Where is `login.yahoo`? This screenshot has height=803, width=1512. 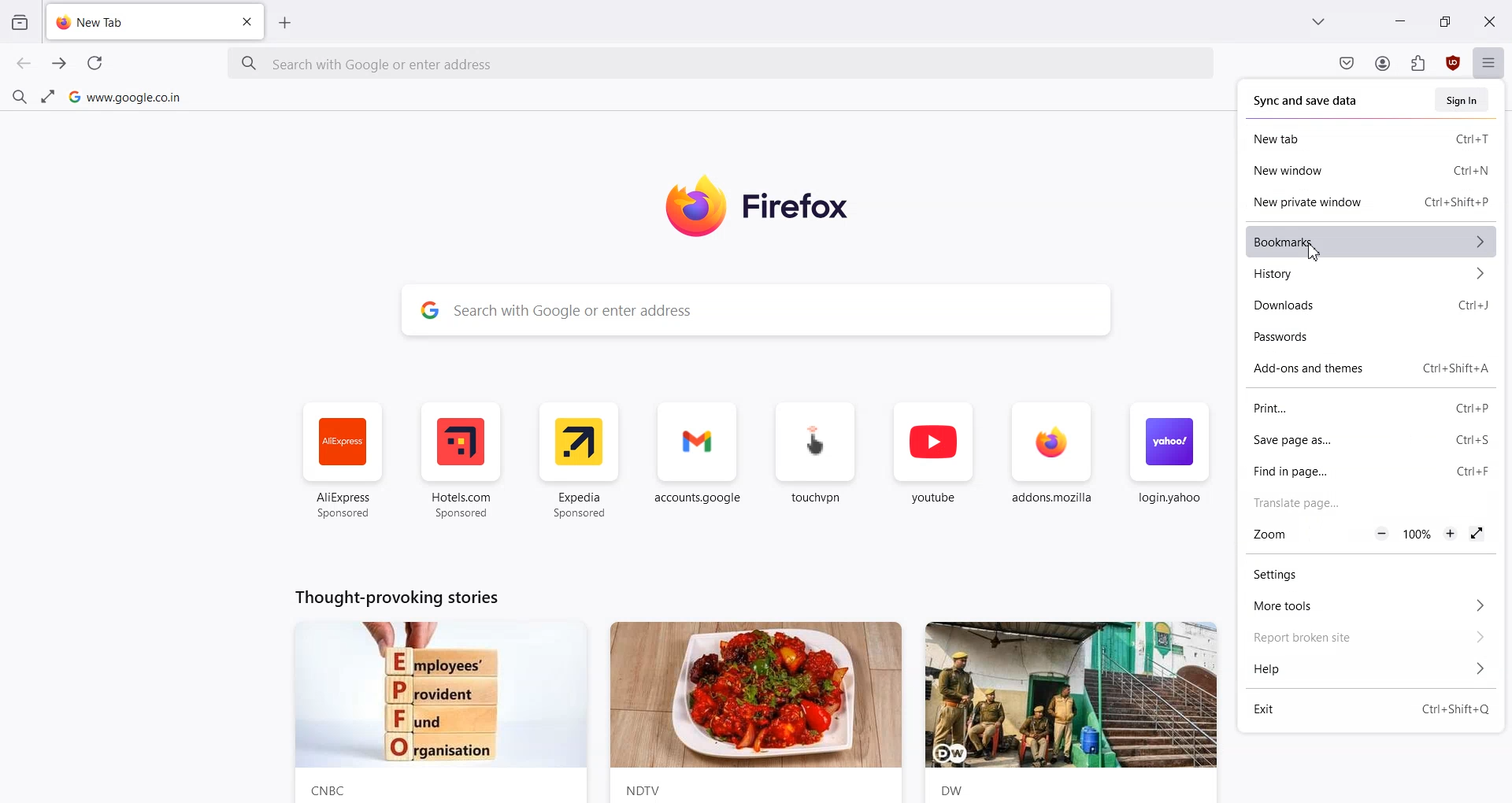
login.yahoo is located at coordinates (1168, 462).